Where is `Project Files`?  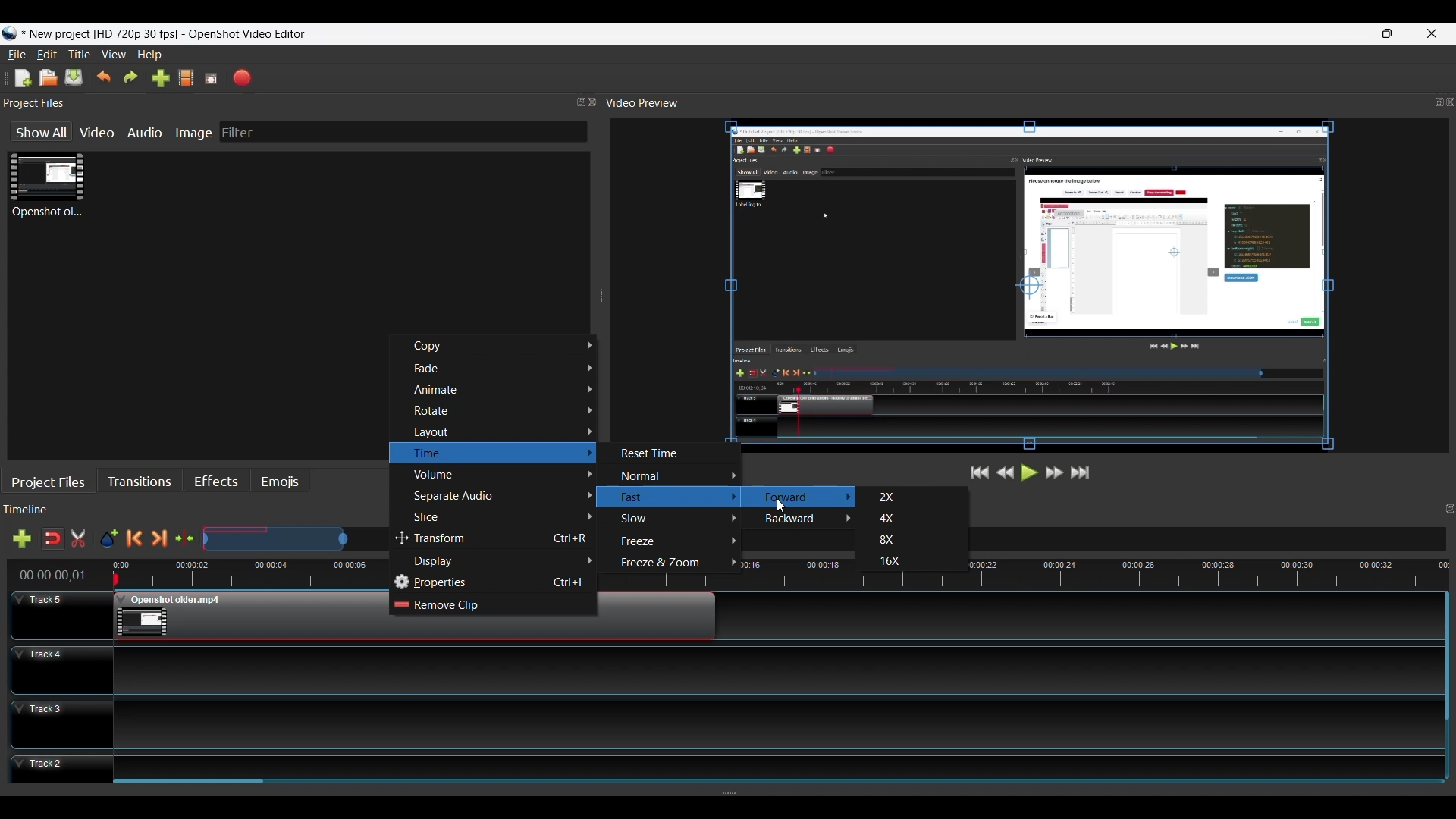 Project Files is located at coordinates (299, 104).